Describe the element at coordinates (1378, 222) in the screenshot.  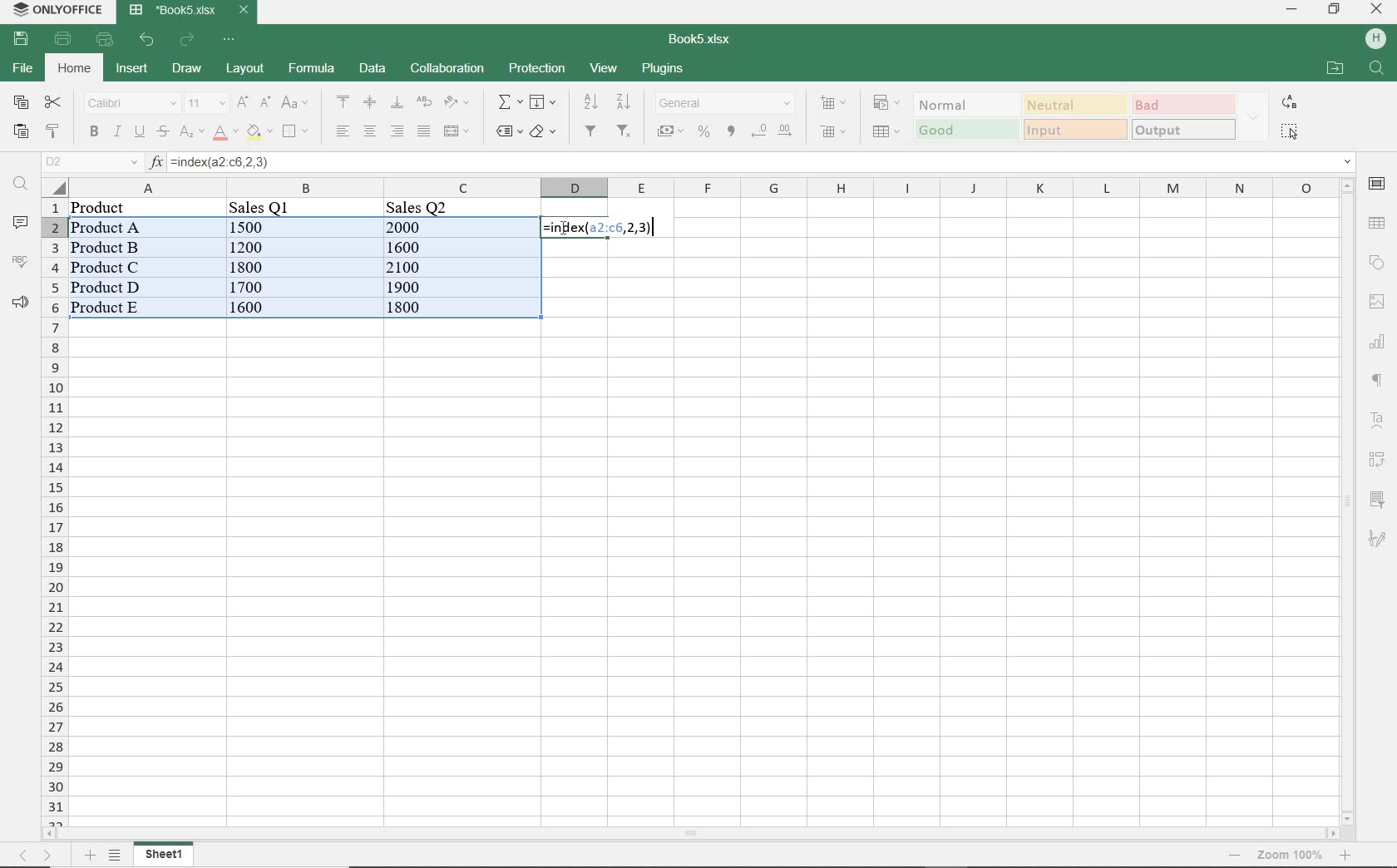
I see `table` at that location.